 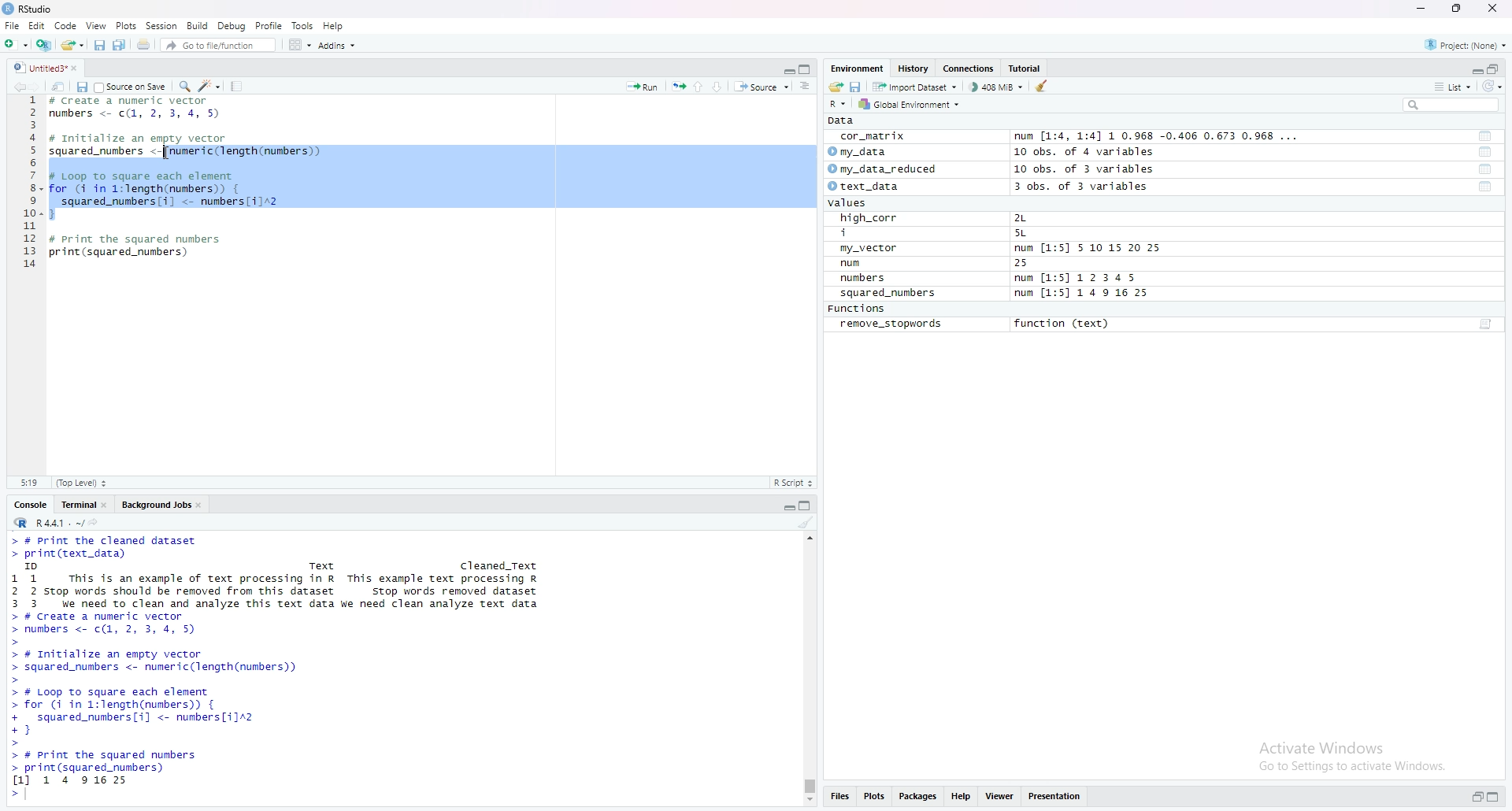 I want to click on © my_data, so click(x=859, y=152).